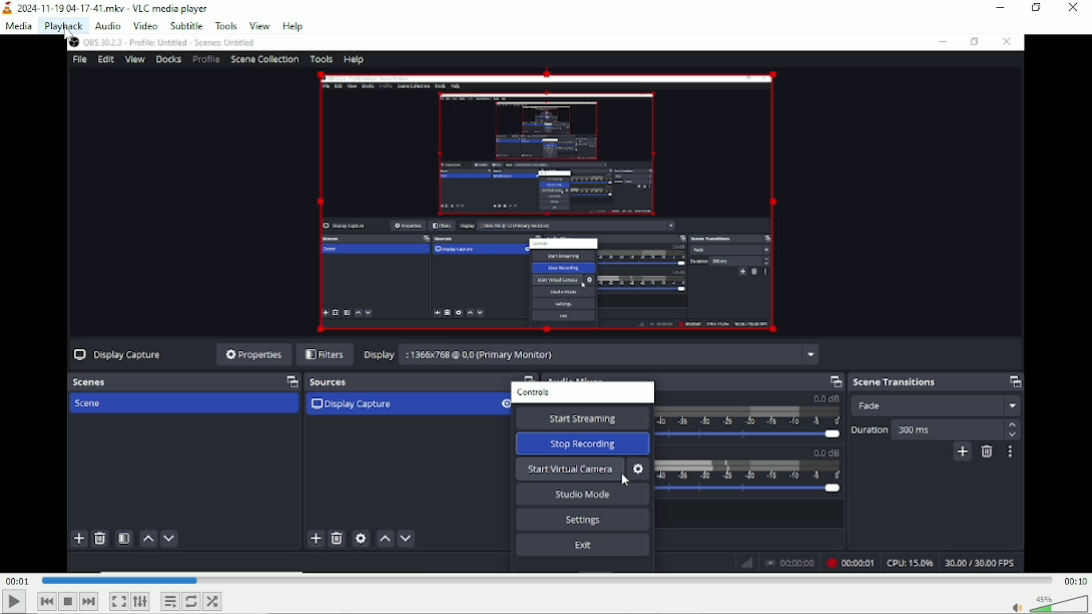 The height and width of the screenshot is (614, 1092). Describe the element at coordinates (141, 602) in the screenshot. I see `Show extended settings` at that location.